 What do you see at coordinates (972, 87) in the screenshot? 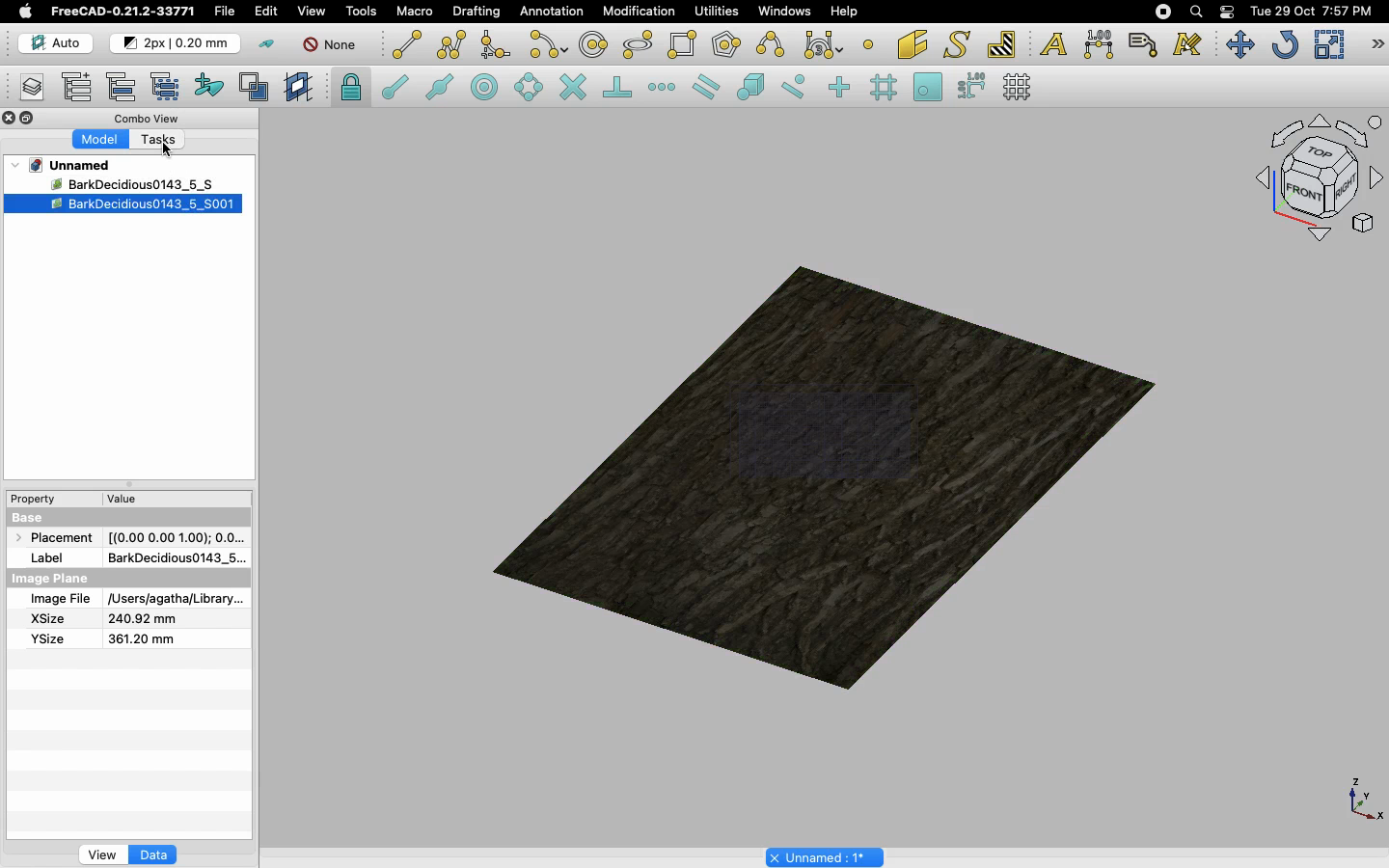
I see `Snap dimensions` at bounding box center [972, 87].